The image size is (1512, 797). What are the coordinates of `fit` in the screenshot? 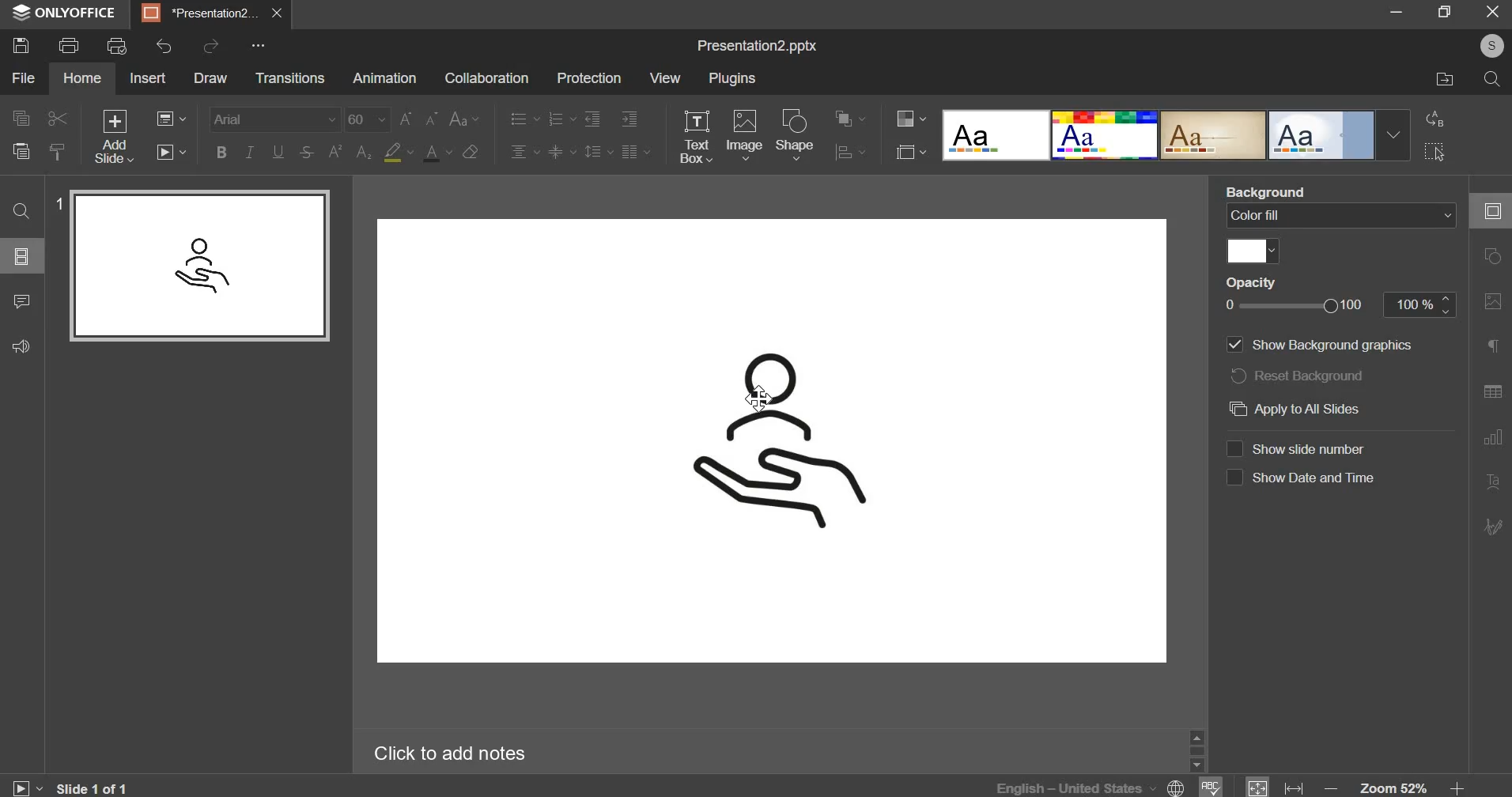 It's located at (1276, 786).